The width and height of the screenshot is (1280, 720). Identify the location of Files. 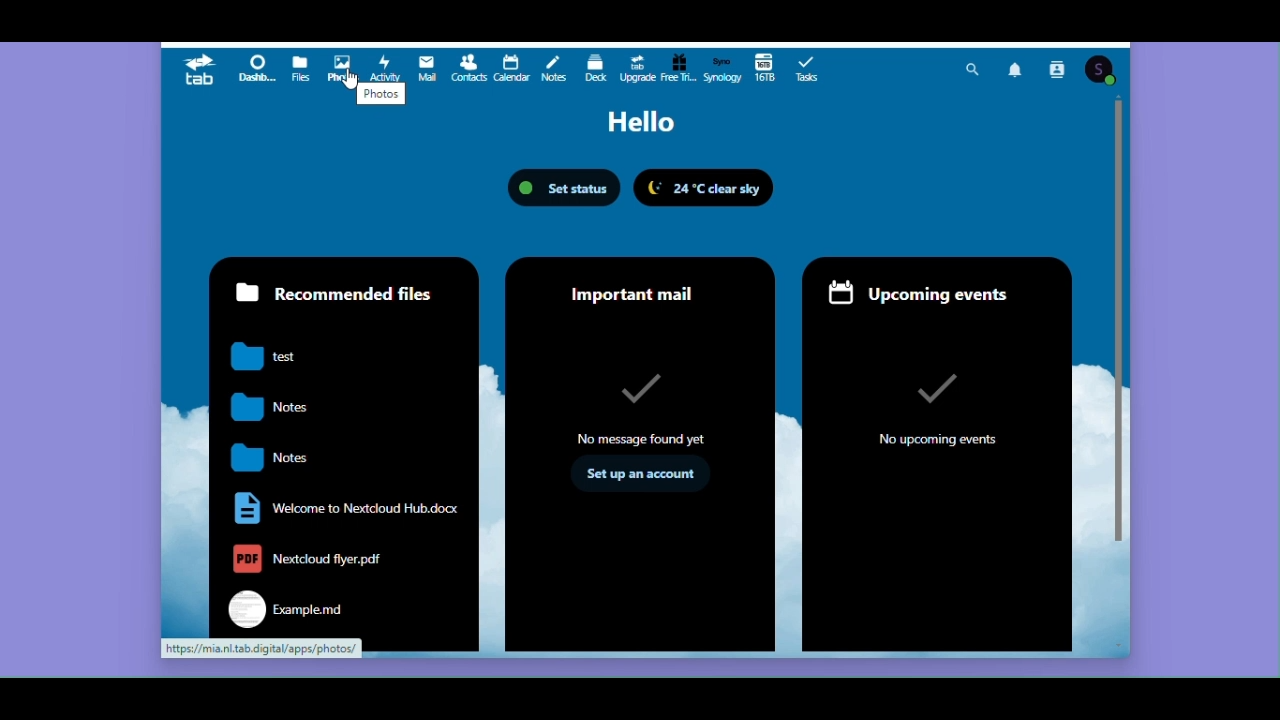
(301, 67).